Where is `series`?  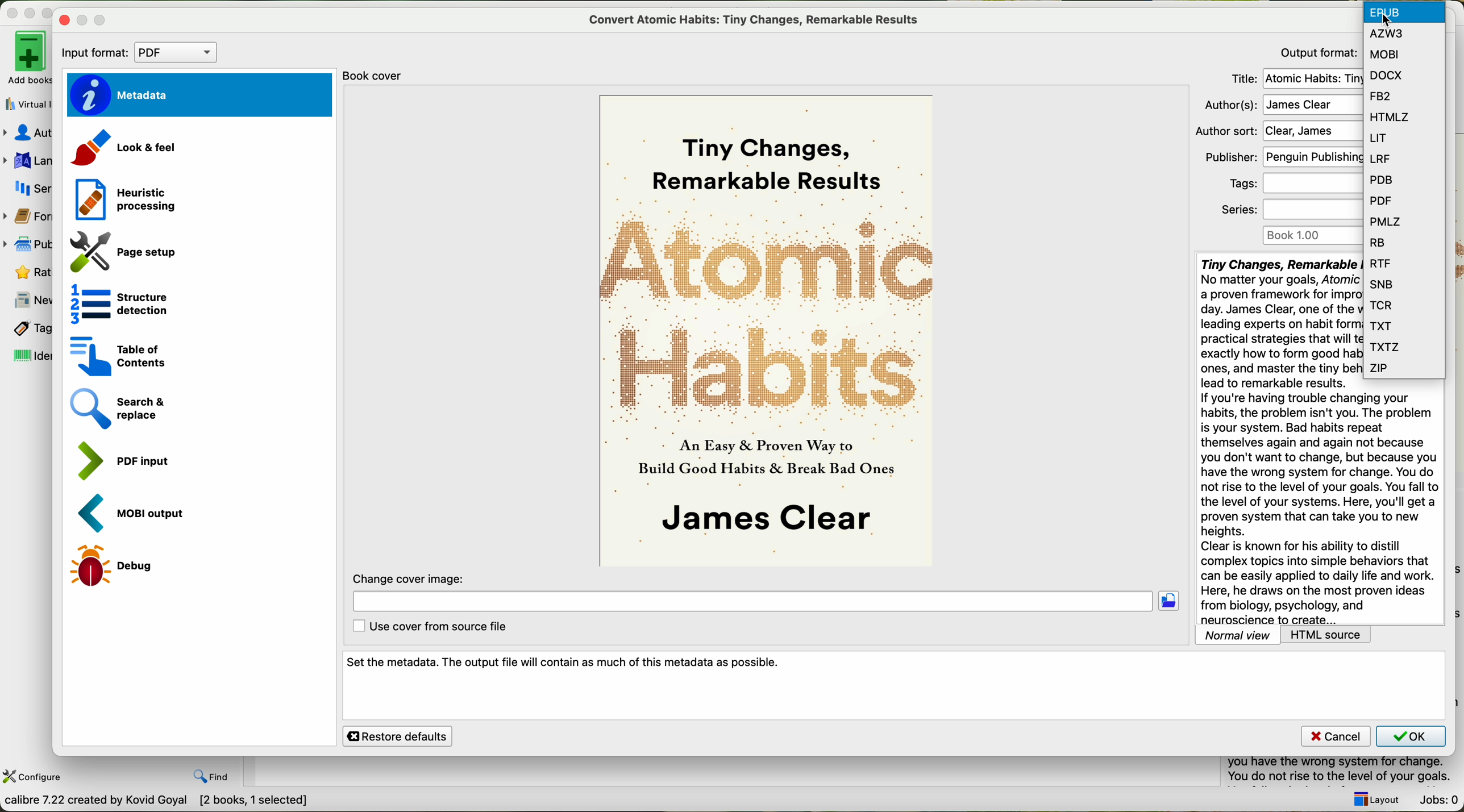
series is located at coordinates (1290, 210).